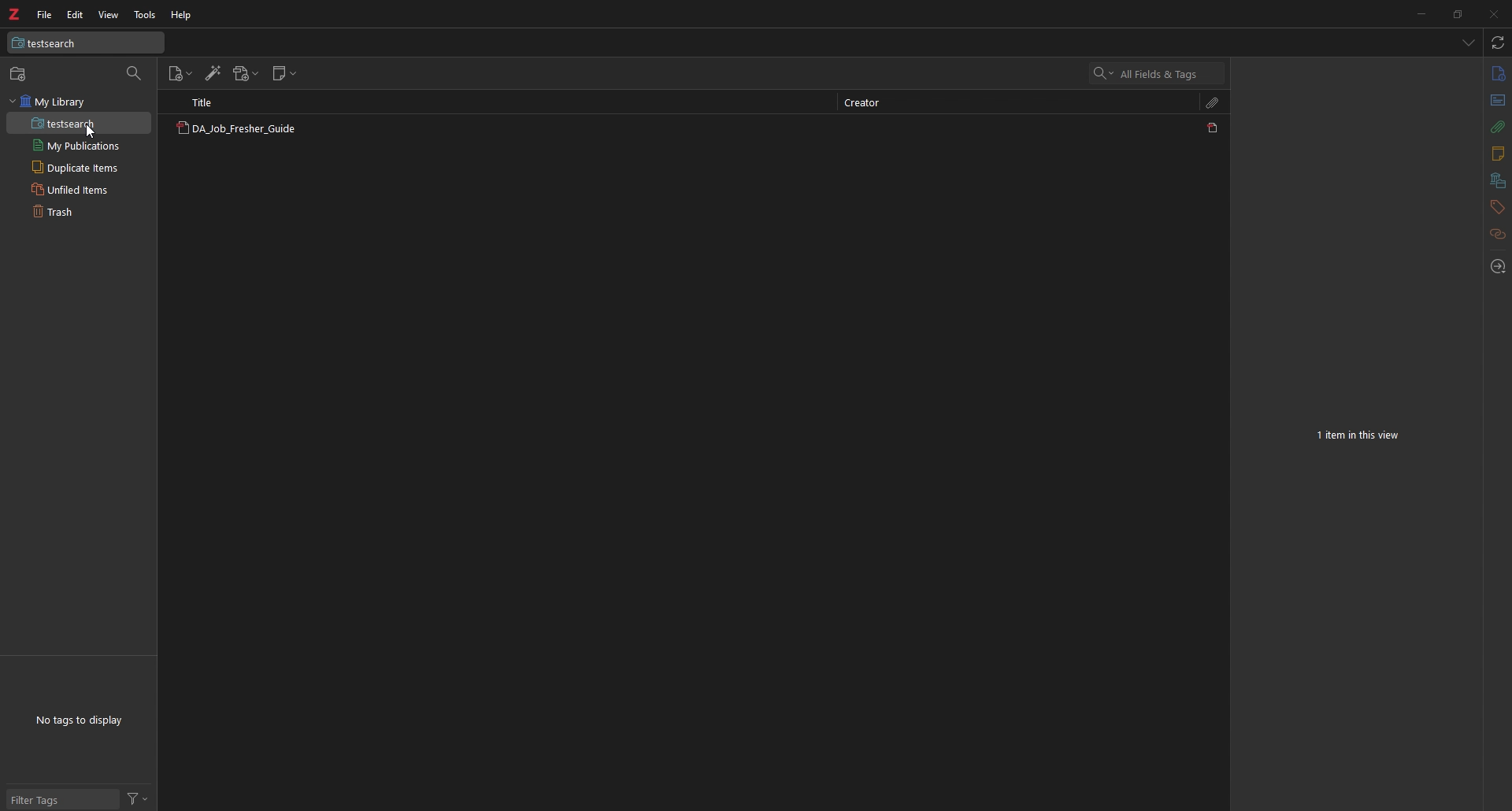  I want to click on collection and libraries, so click(1498, 181).